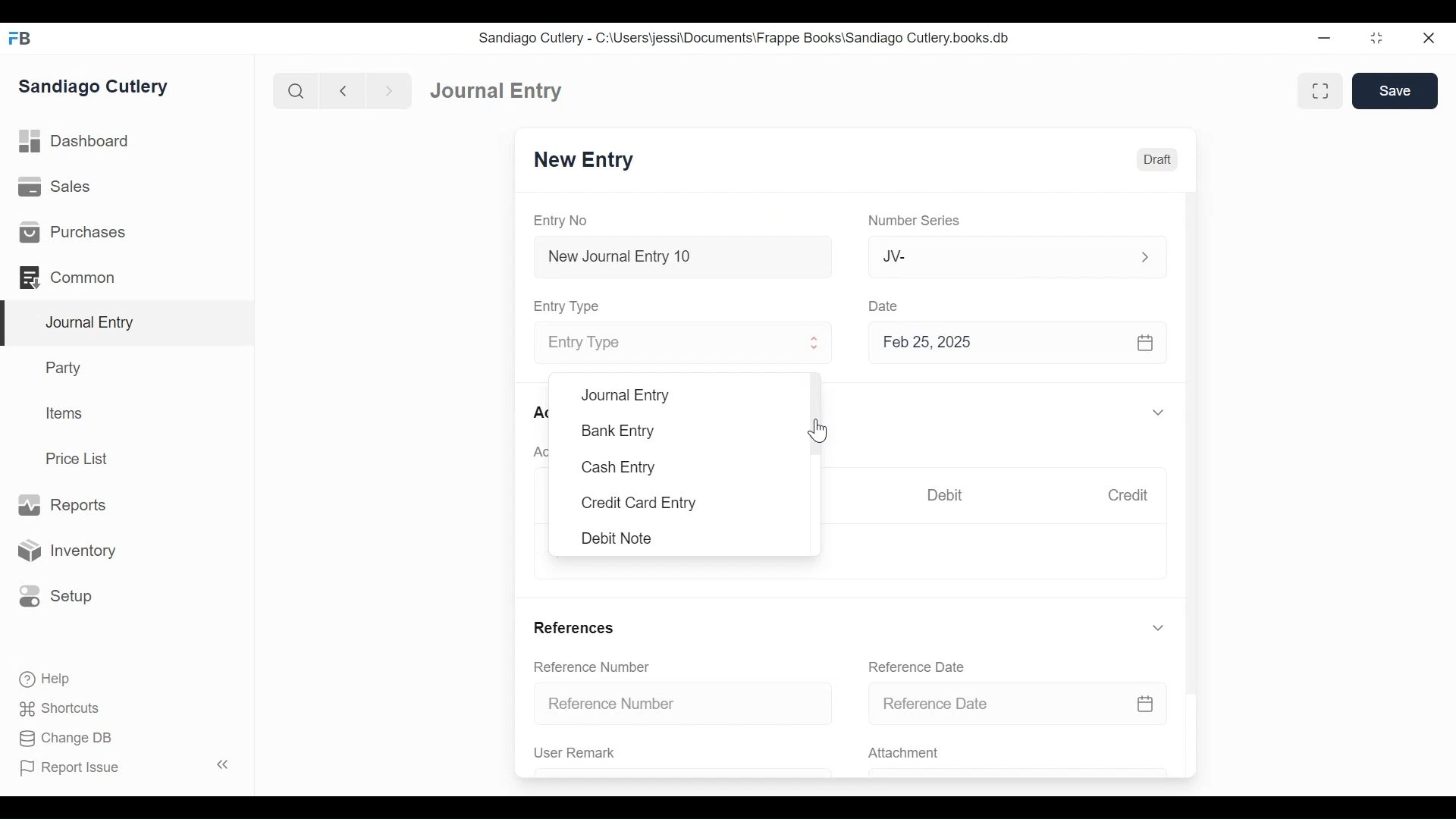  I want to click on References, so click(576, 626).